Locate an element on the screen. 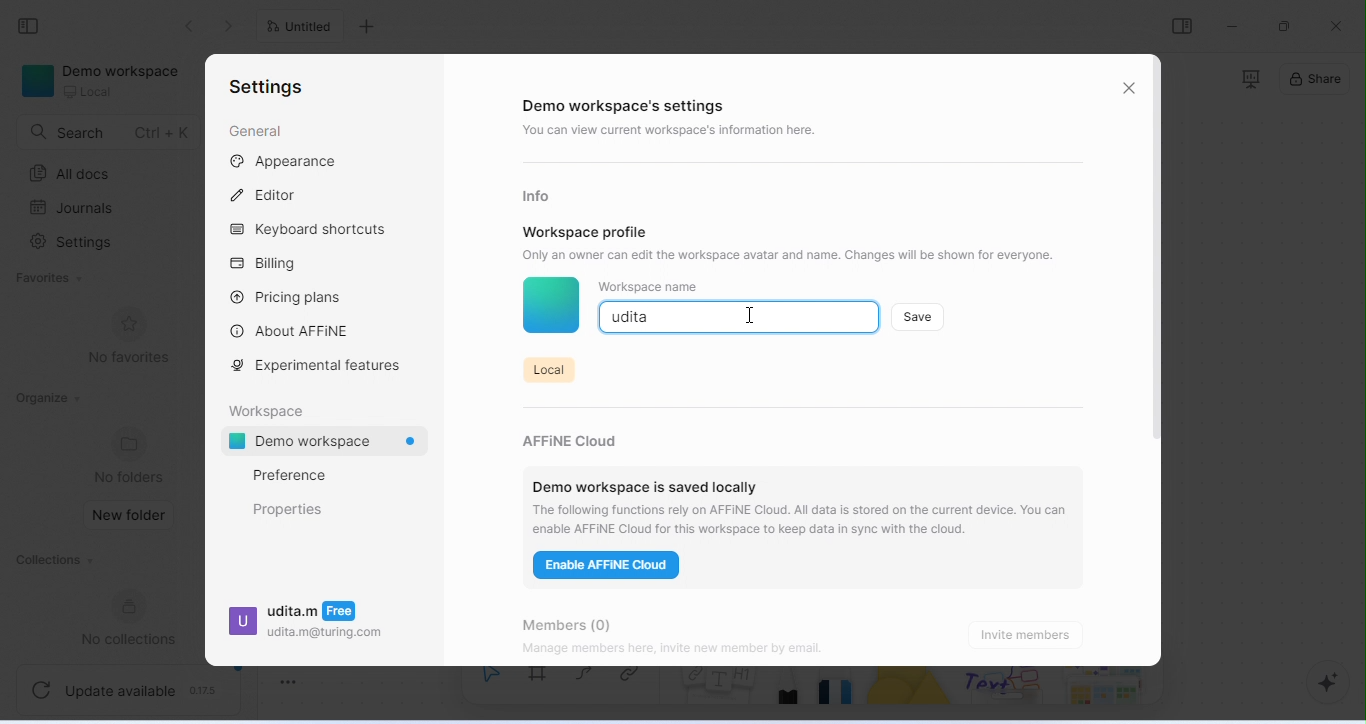  cursor is located at coordinates (751, 314).